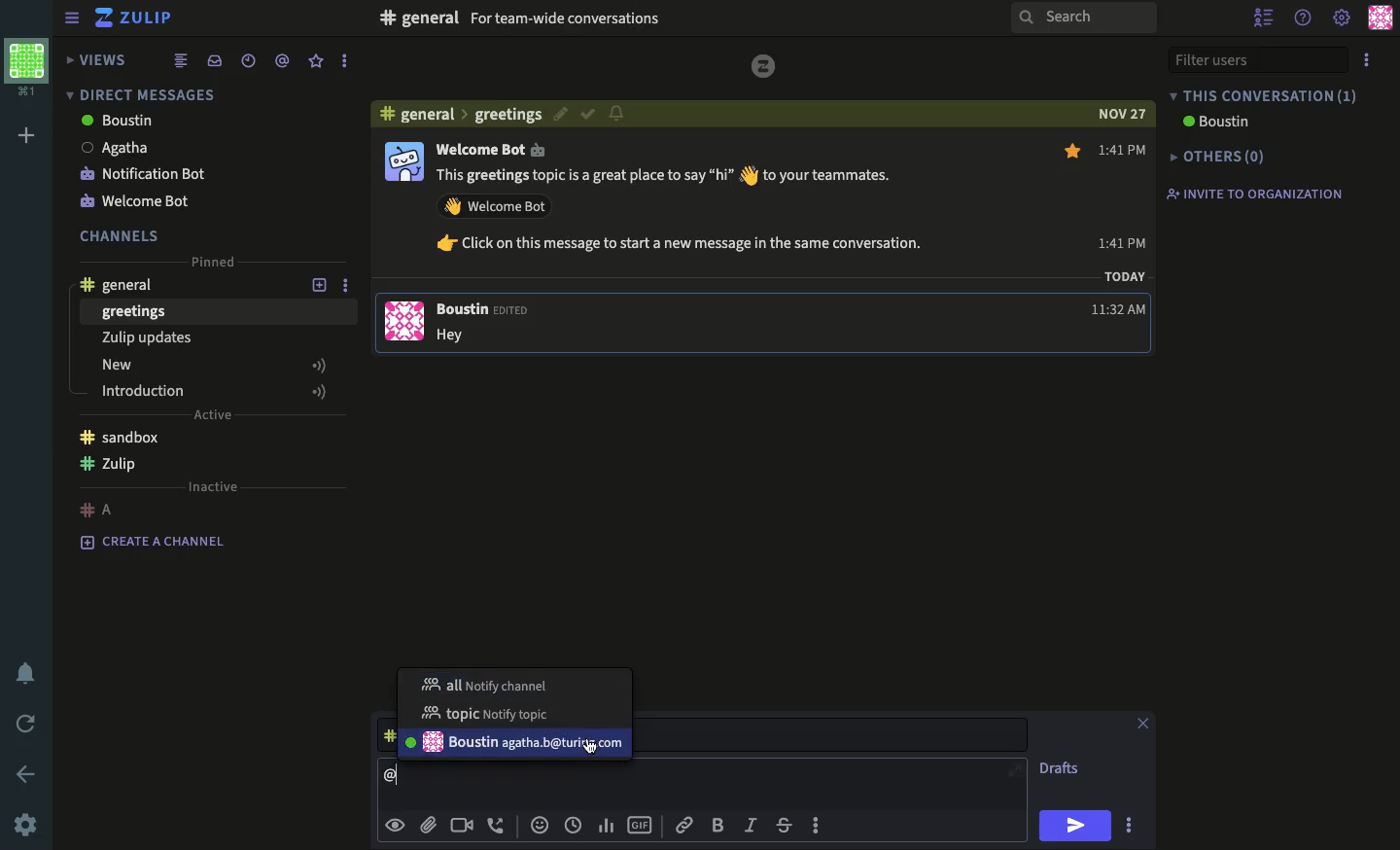 This screenshot has width=1400, height=850. What do you see at coordinates (115, 147) in the screenshot?
I see `Agatha ` at bounding box center [115, 147].